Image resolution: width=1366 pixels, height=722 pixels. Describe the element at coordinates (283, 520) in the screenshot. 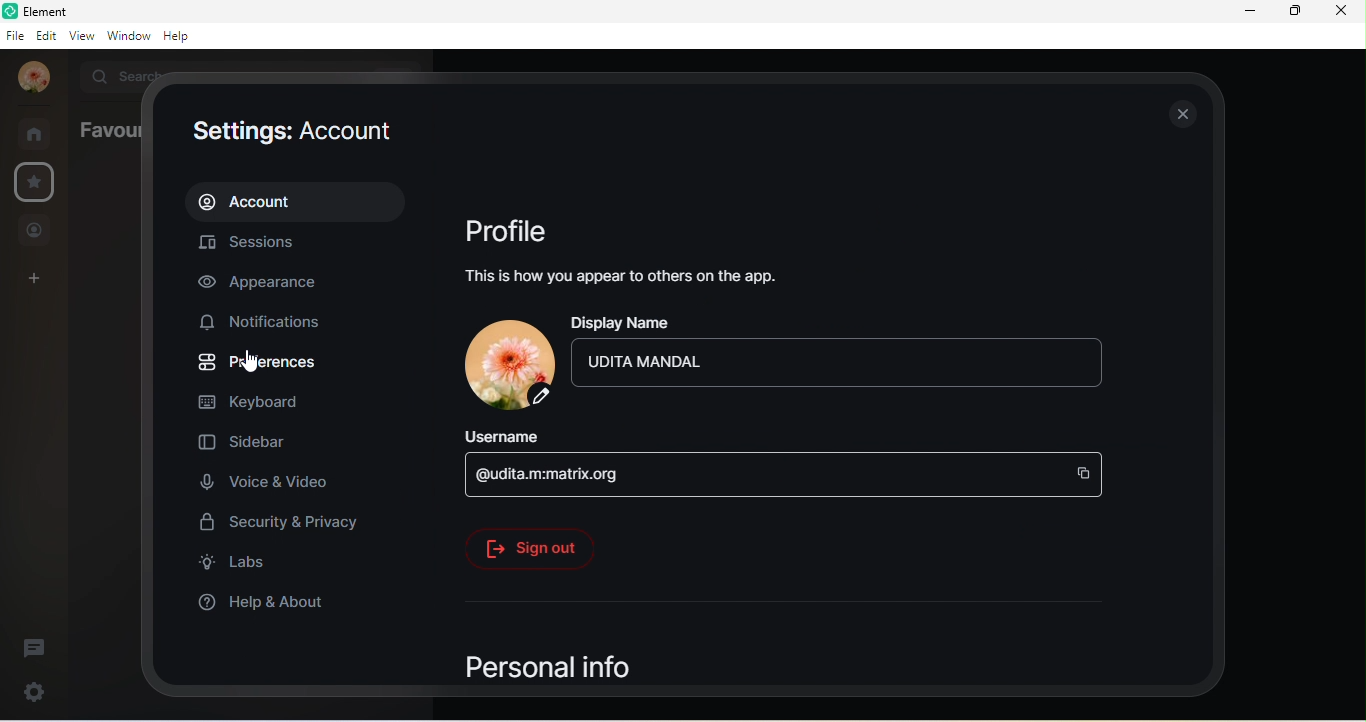

I see `security and privacy` at that location.